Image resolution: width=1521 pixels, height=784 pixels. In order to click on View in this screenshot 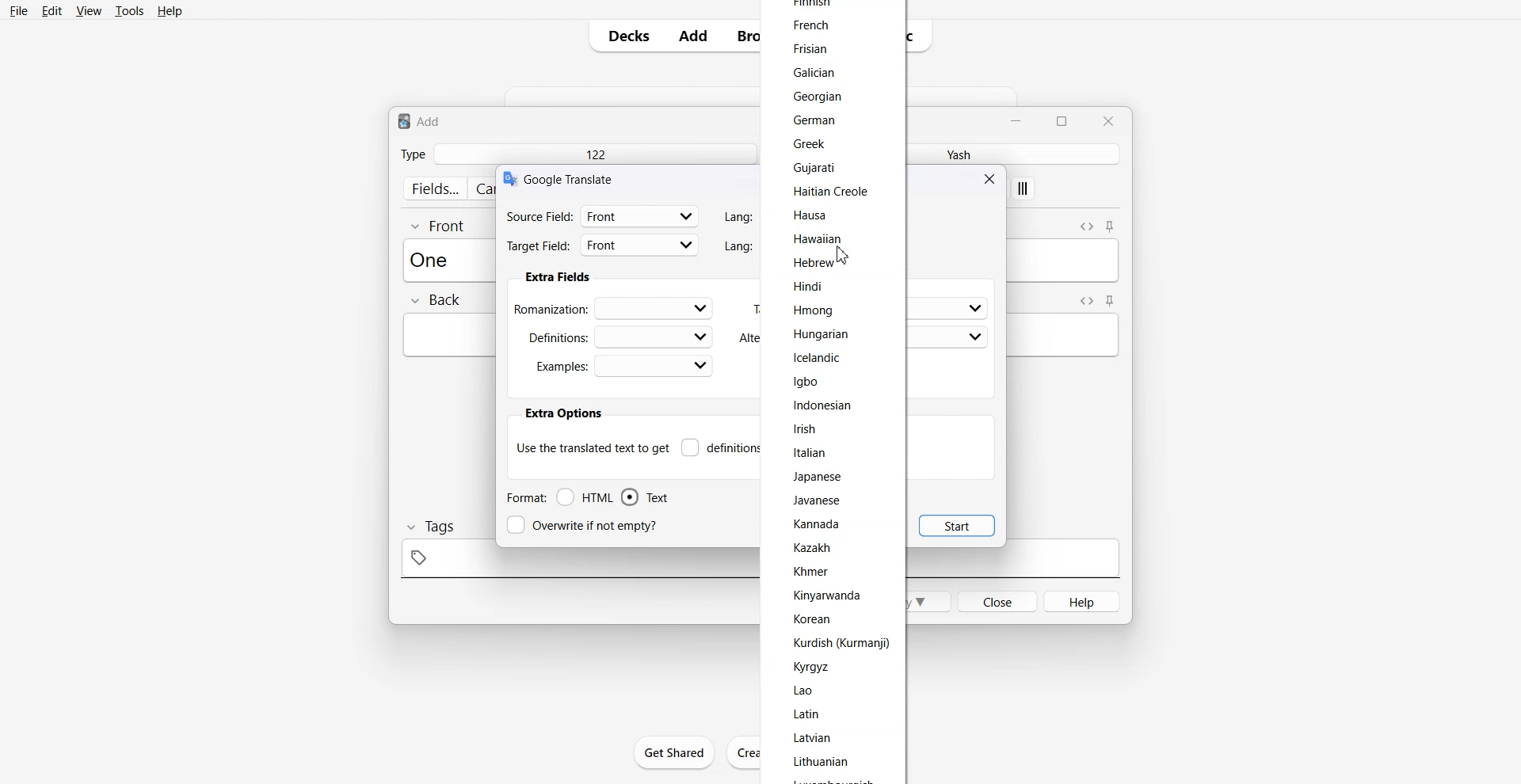, I will do `click(87, 10)`.